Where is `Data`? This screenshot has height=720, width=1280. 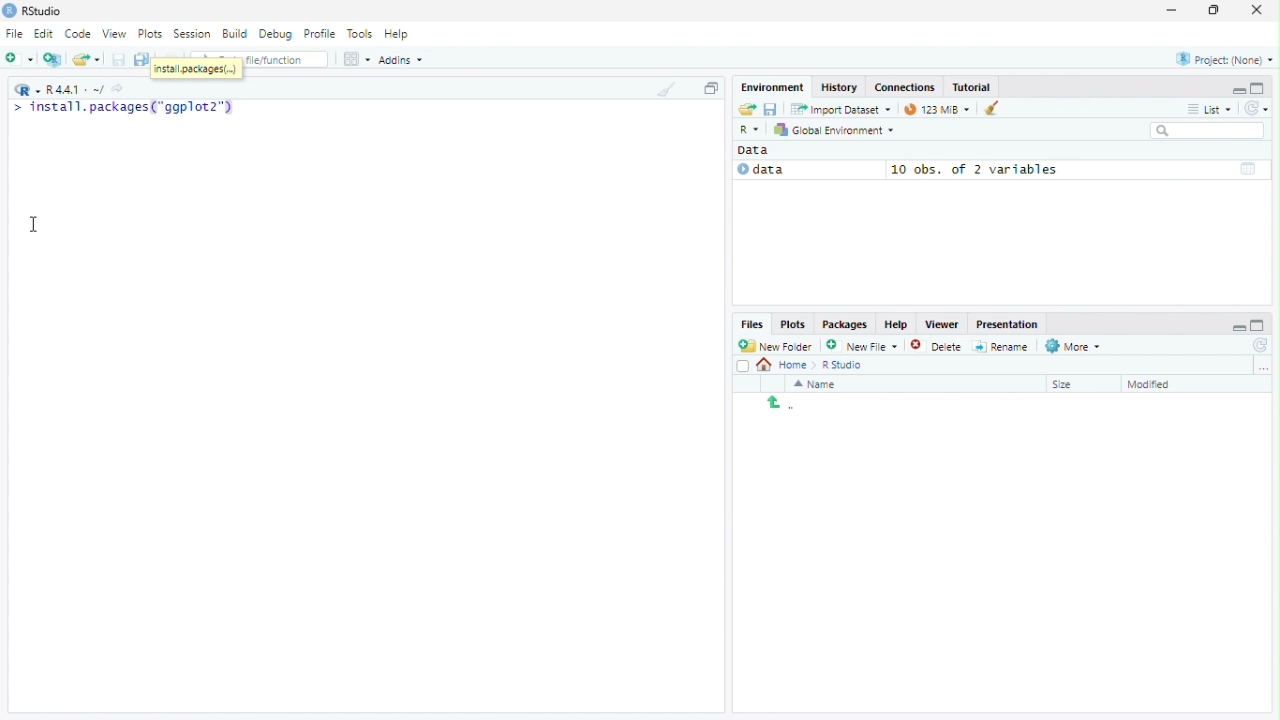 Data is located at coordinates (759, 150).